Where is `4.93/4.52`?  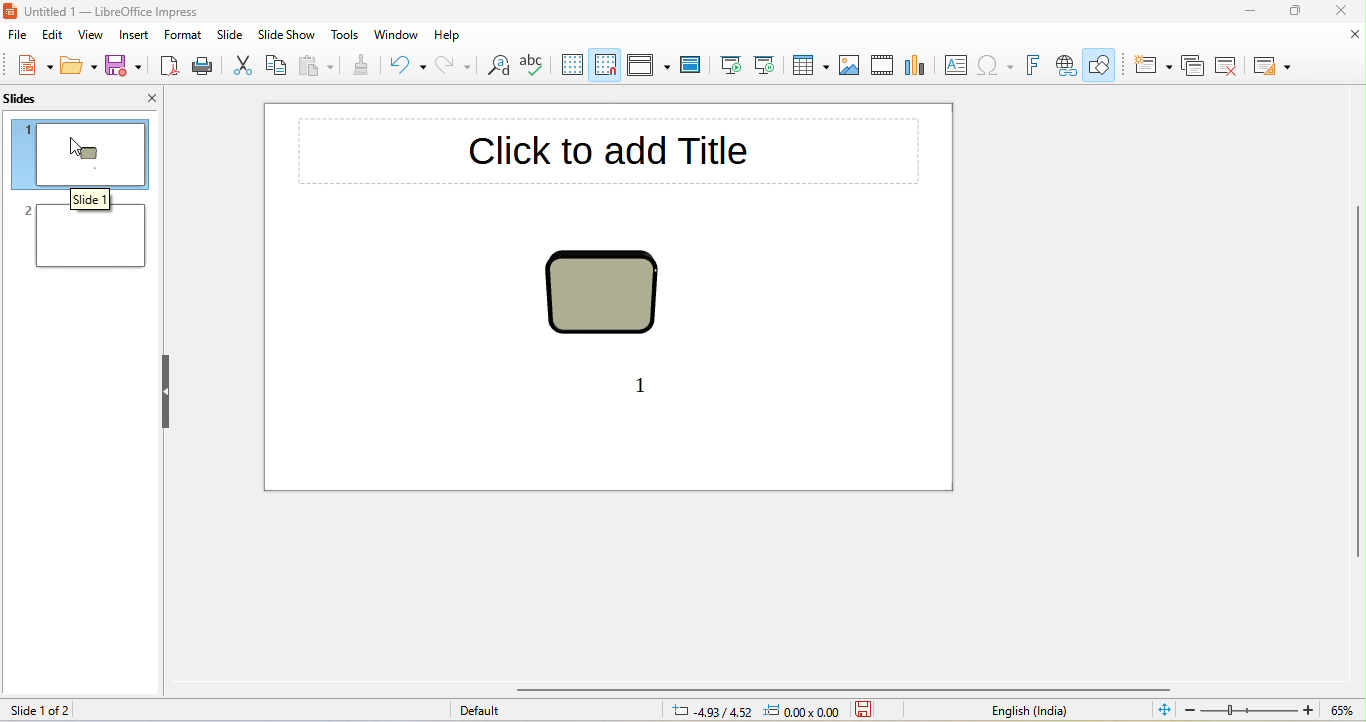 4.93/4.52 is located at coordinates (712, 711).